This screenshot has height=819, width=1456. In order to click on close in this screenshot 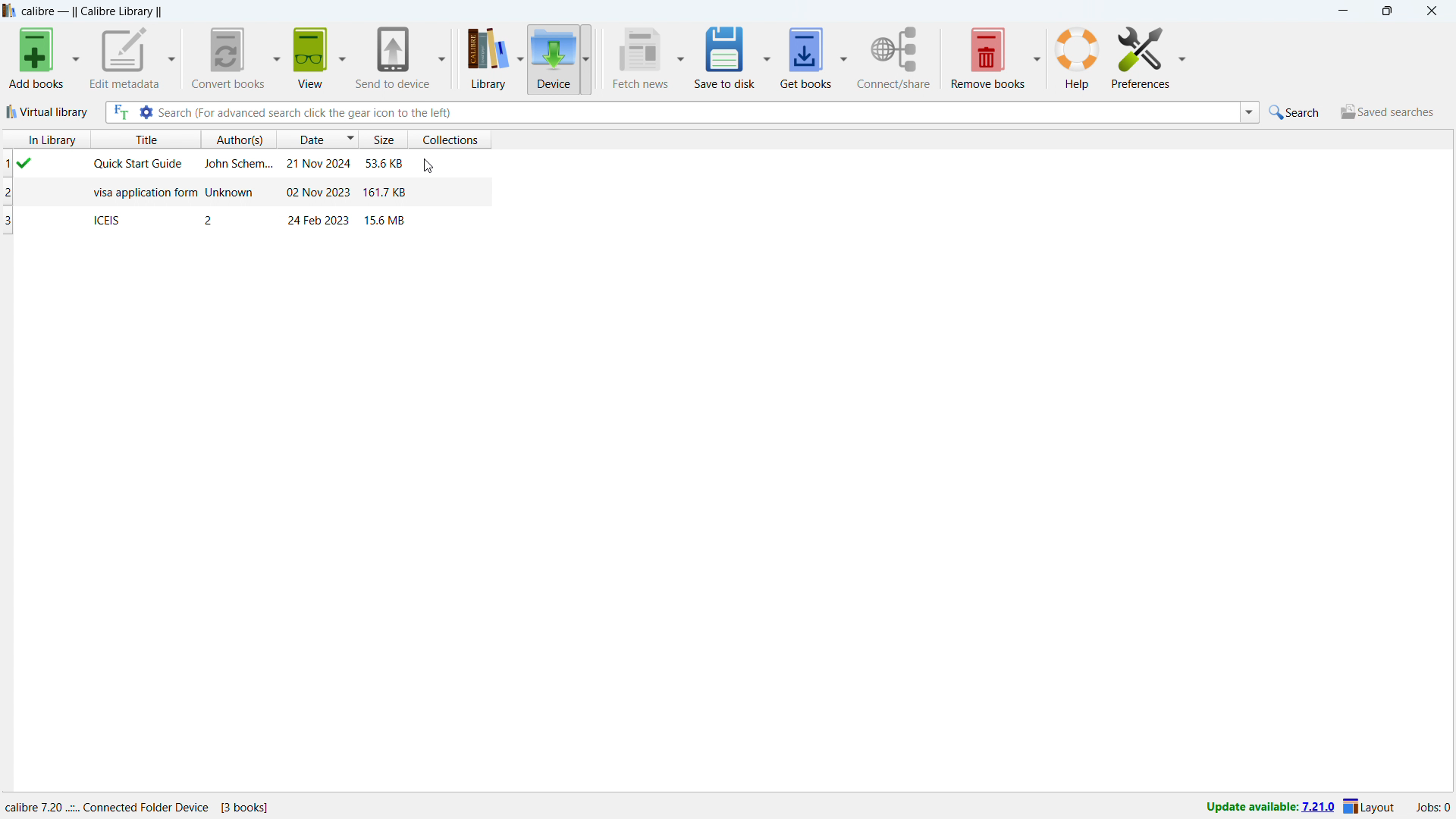, I will do `click(1430, 11)`.